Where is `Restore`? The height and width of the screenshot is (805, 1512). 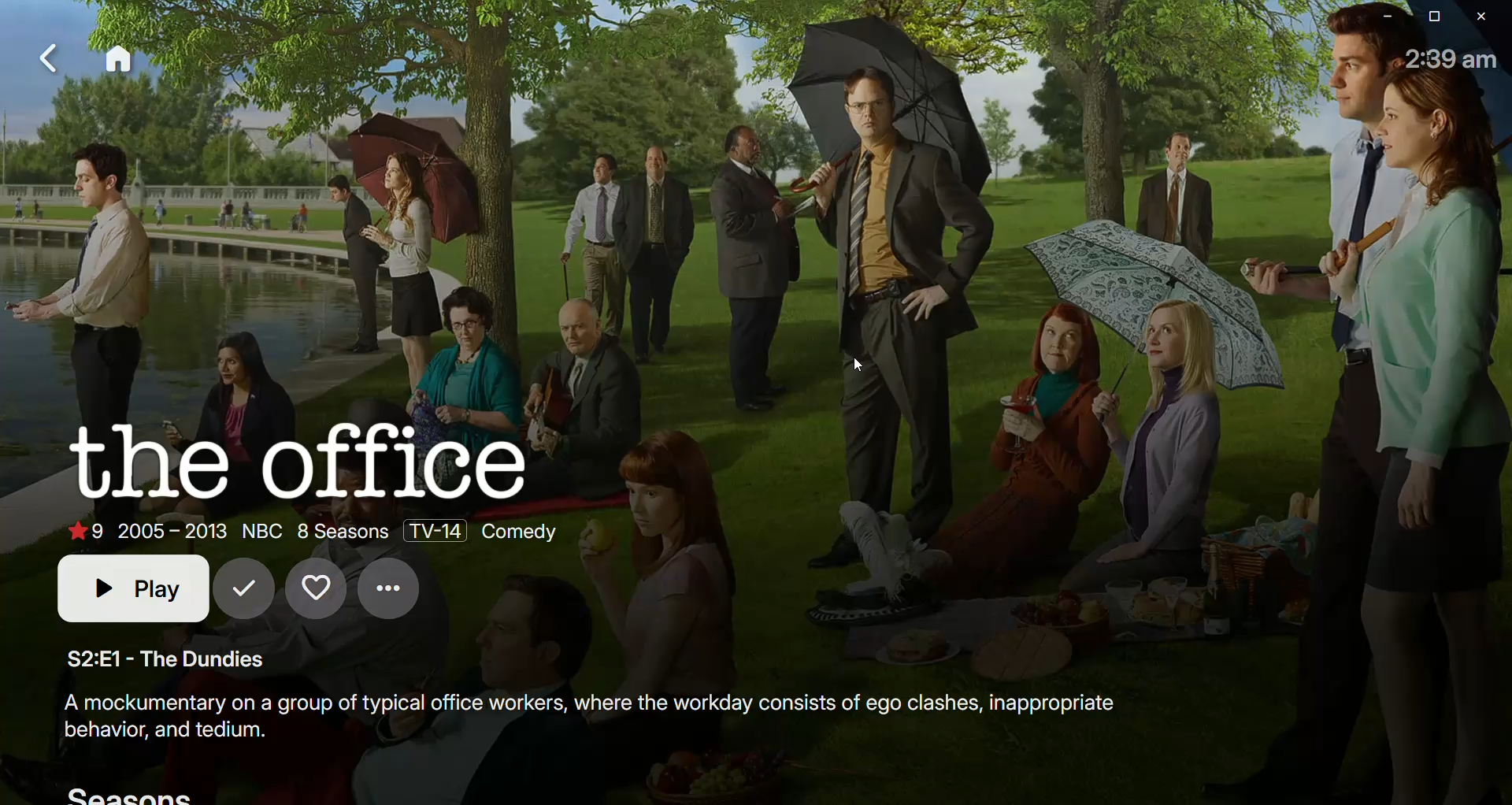 Restore is located at coordinates (1425, 17).